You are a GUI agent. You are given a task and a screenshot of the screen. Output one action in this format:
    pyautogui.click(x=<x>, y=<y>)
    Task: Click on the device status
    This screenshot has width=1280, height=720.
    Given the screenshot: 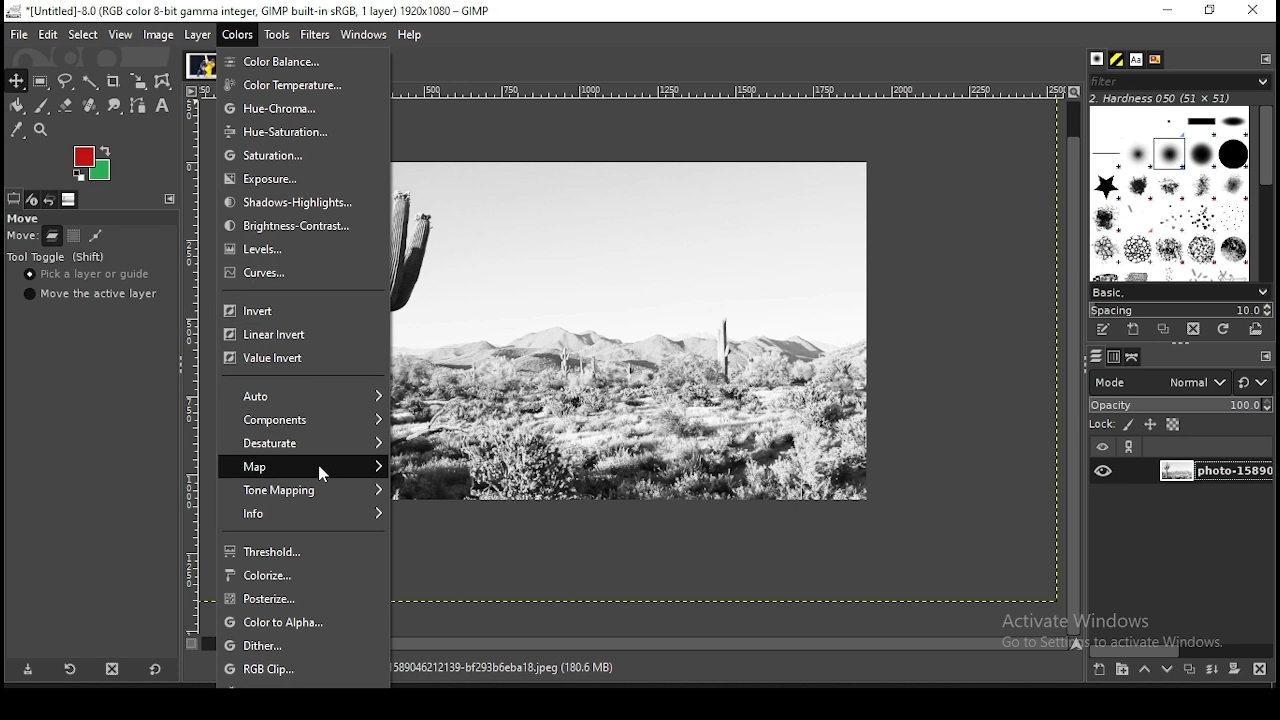 What is the action you would take?
    pyautogui.click(x=34, y=199)
    